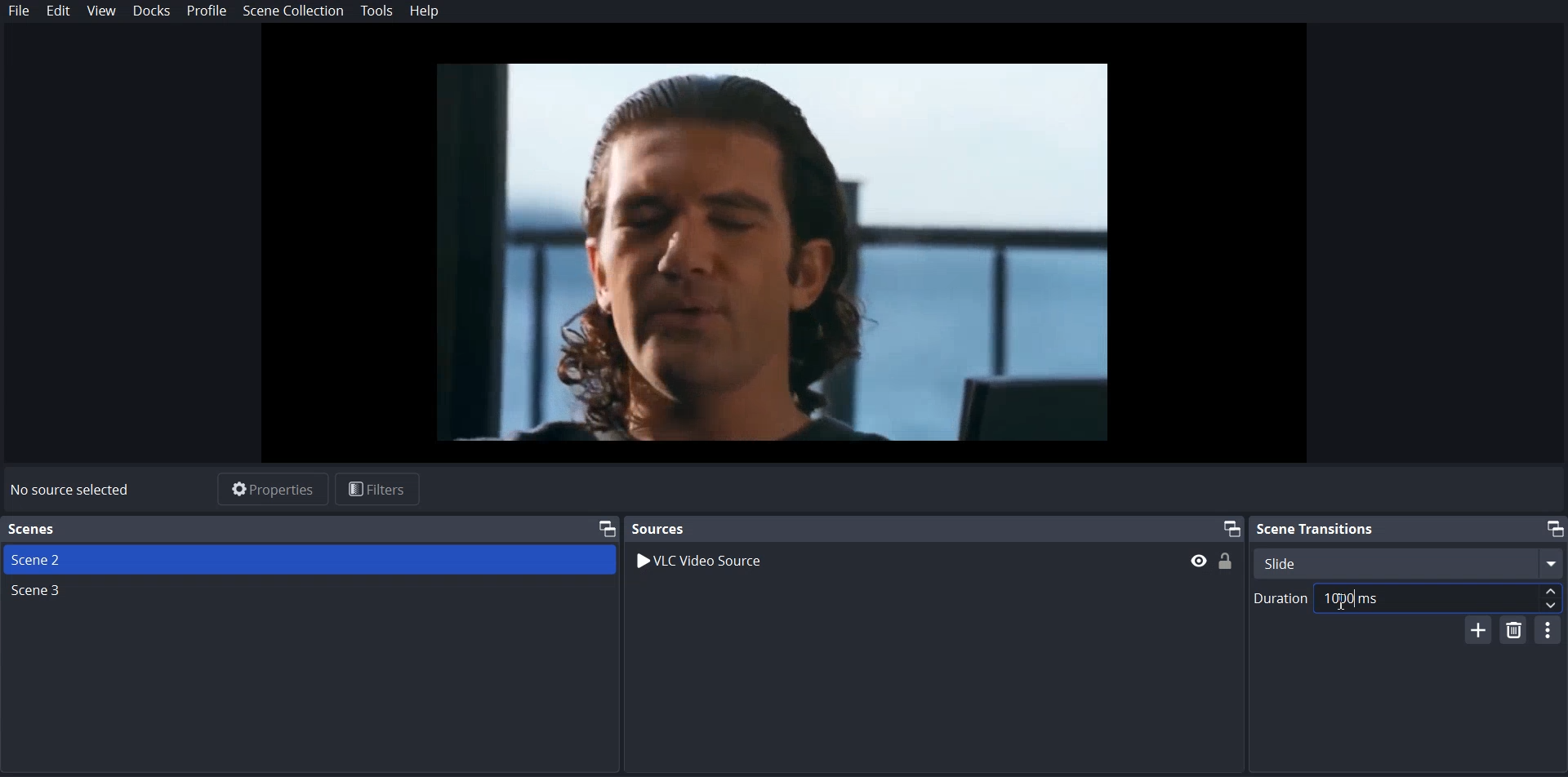 This screenshot has width=1568, height=777. Describe the element at coordinates (423, 12) in the screenshot. I see `Help` at that location.